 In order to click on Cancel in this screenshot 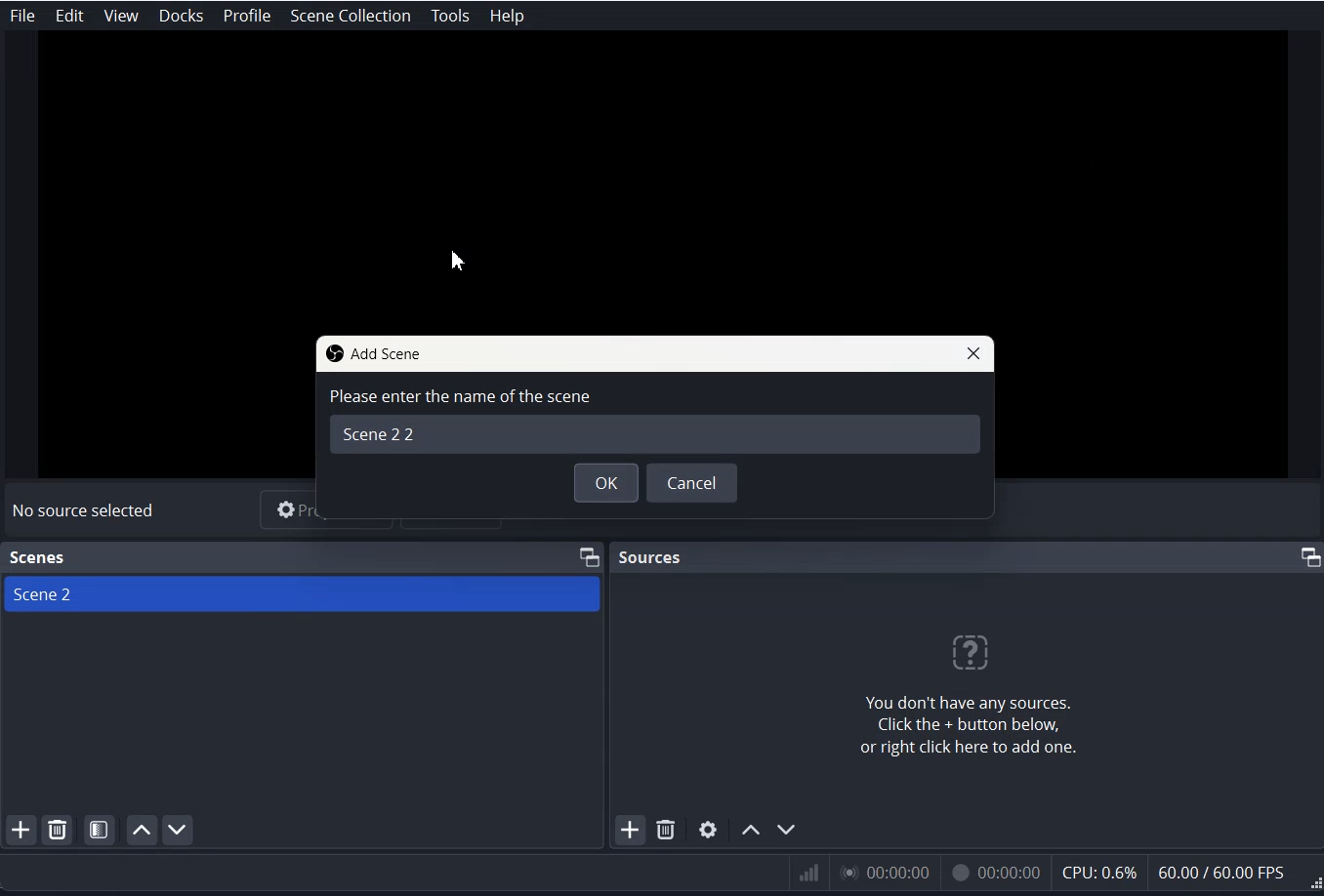, I will do `click(692, 482)`.